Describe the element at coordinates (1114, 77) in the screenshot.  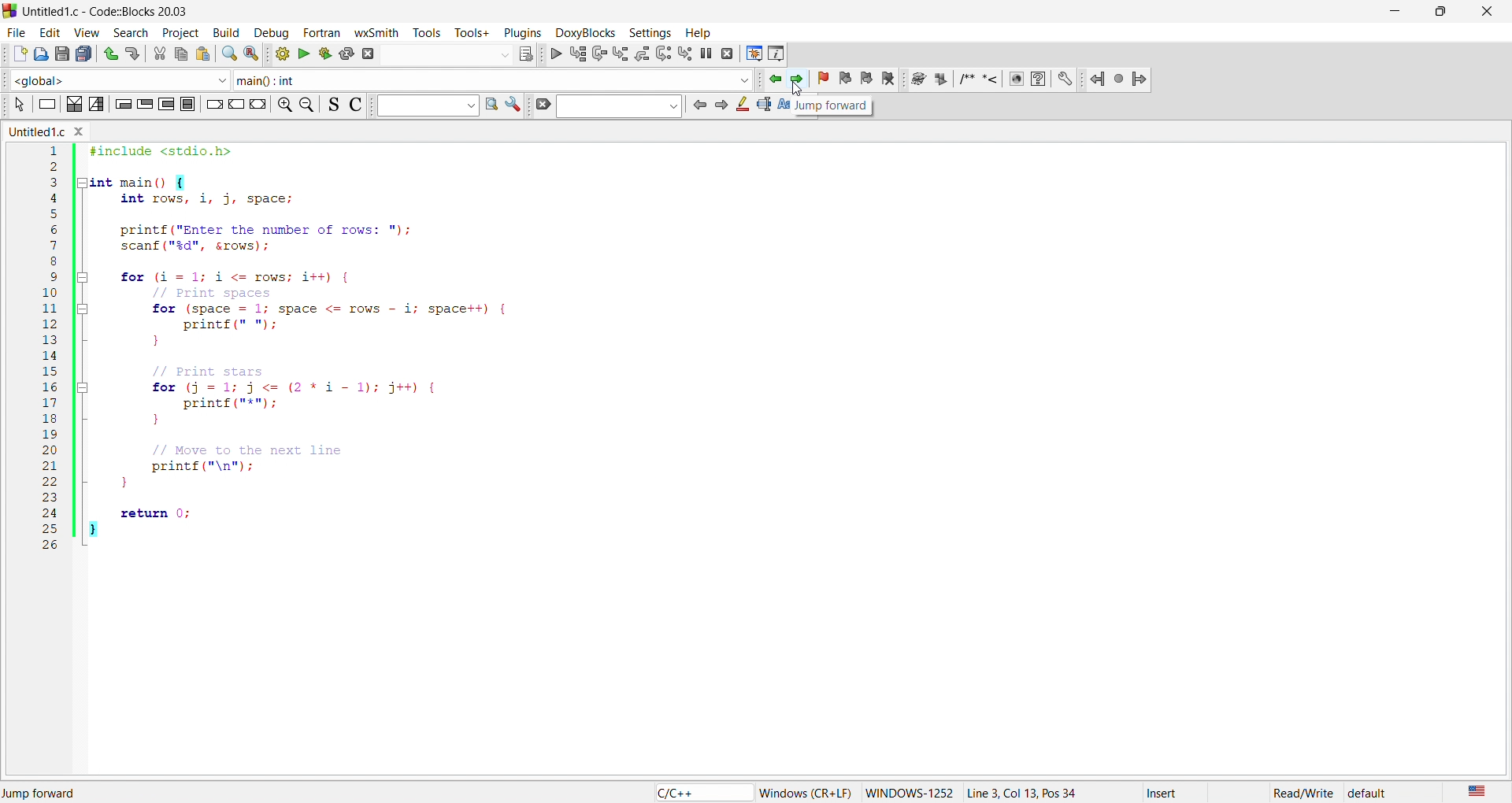
I see `jump icons` at that location.